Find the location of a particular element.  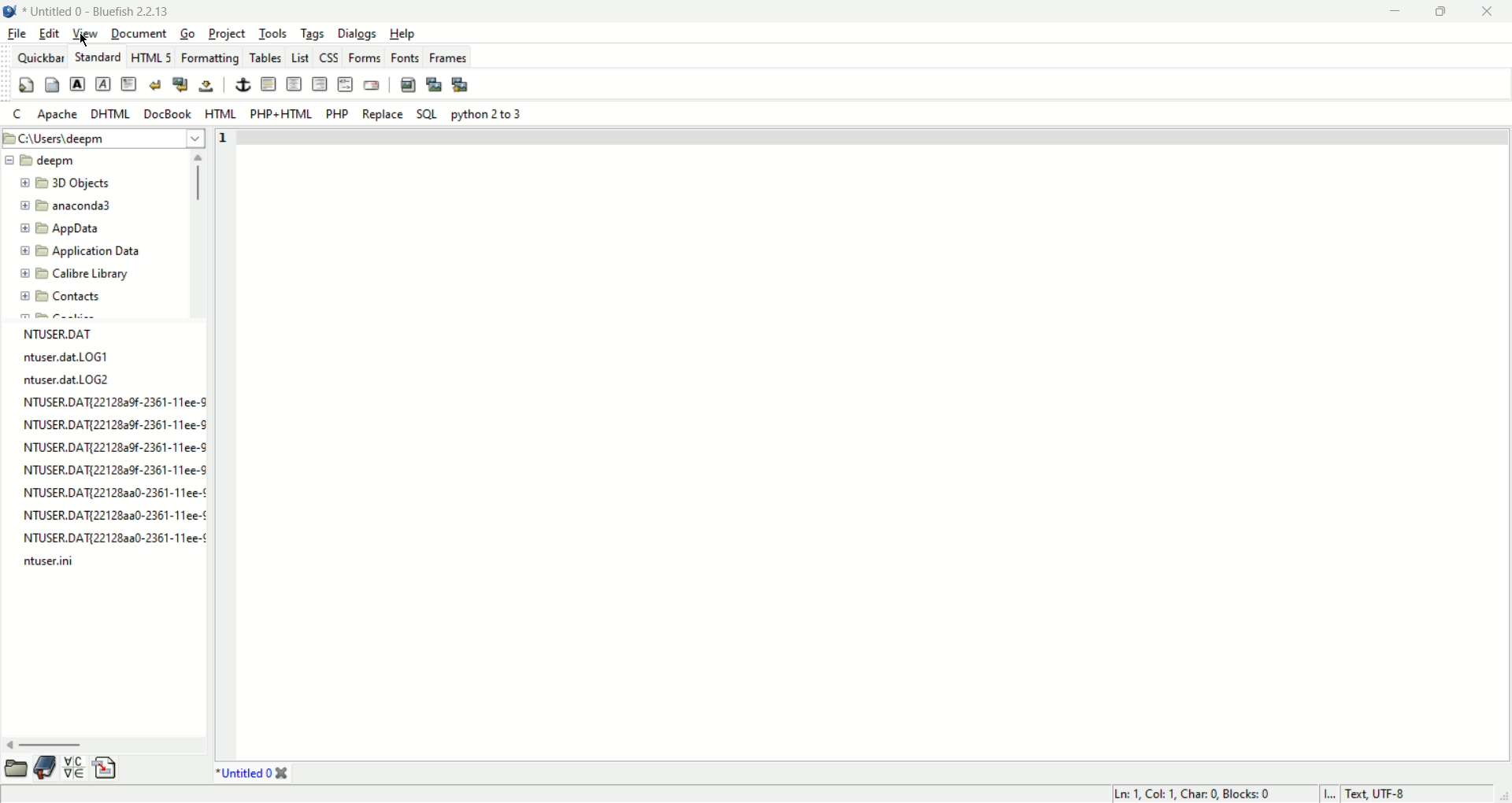

email is located at coordinates (371, 84).